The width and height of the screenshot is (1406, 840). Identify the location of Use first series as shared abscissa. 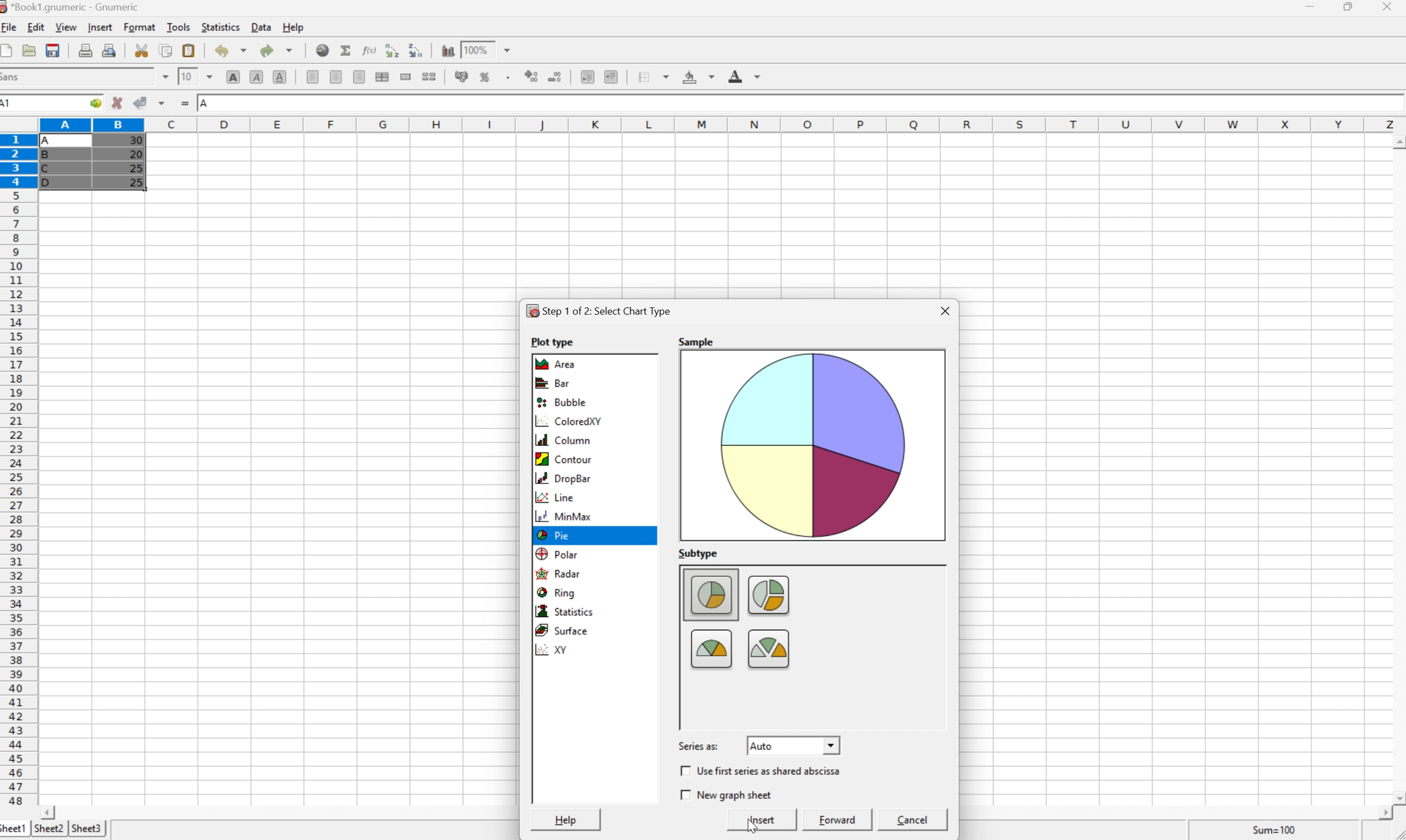
(770, 770).